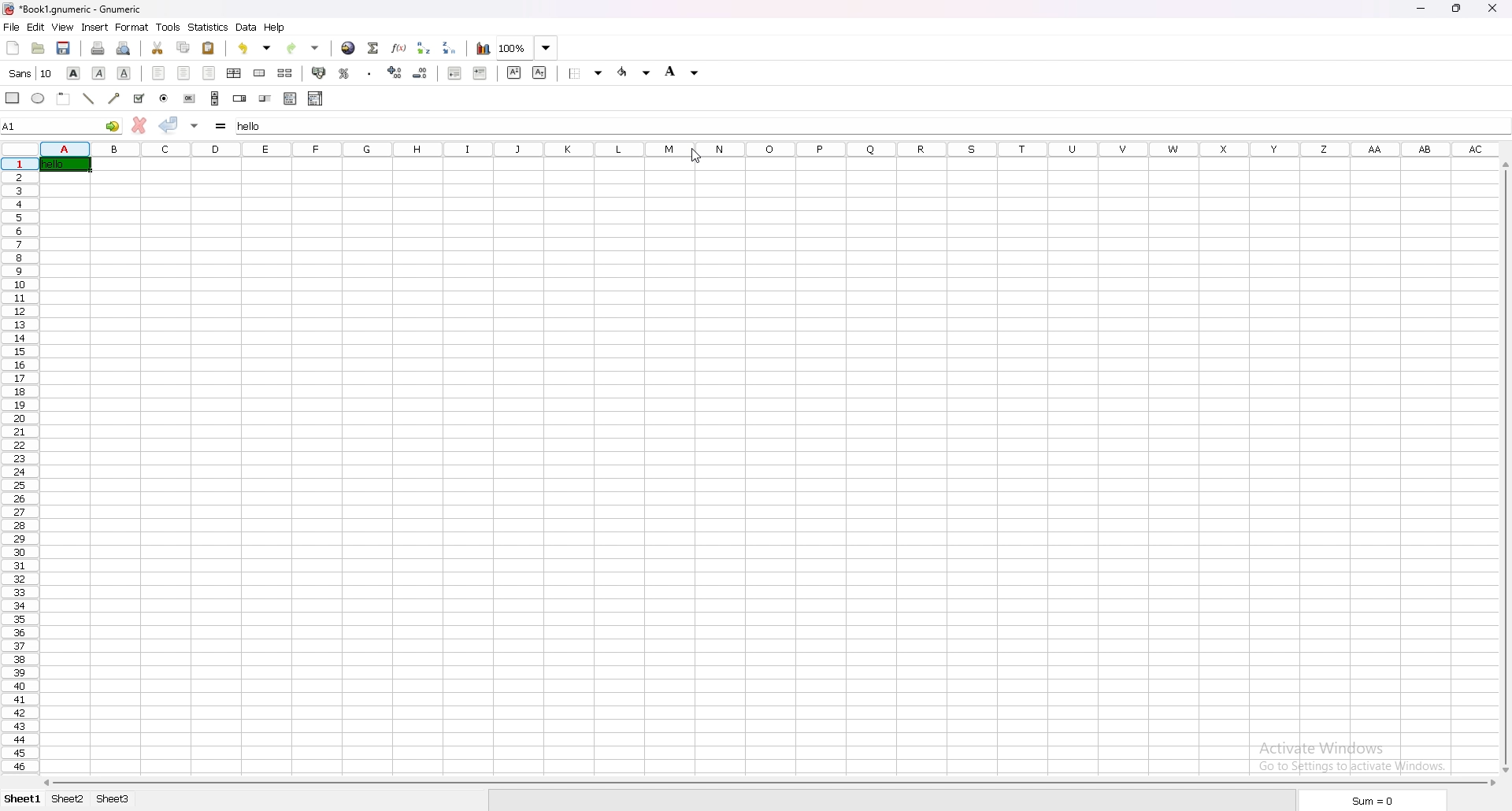 The image size is (1512, 811). I want to click on italic, so click(100, 73).